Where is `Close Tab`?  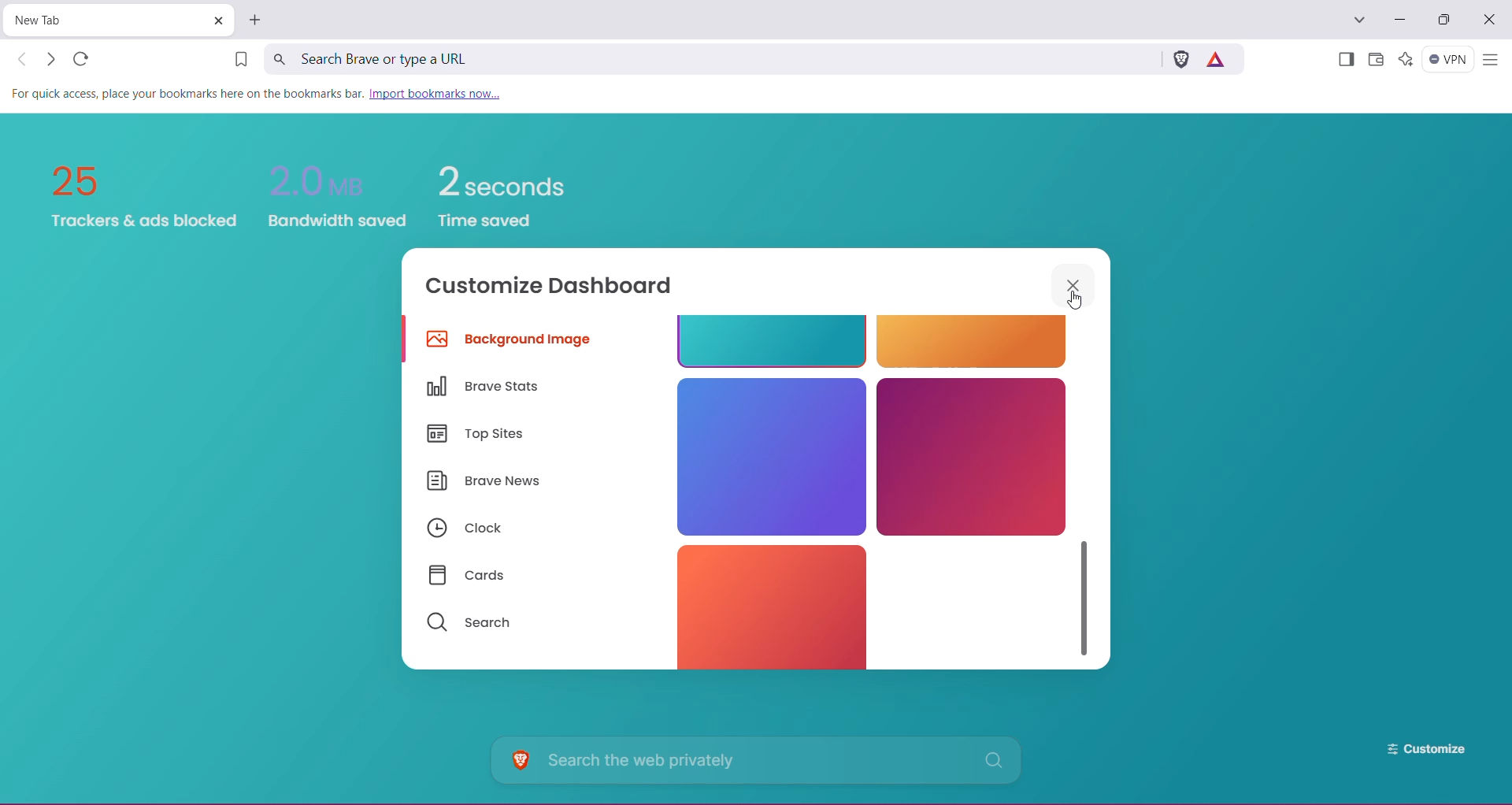 Close Tab is located at coordinates (217, 20).